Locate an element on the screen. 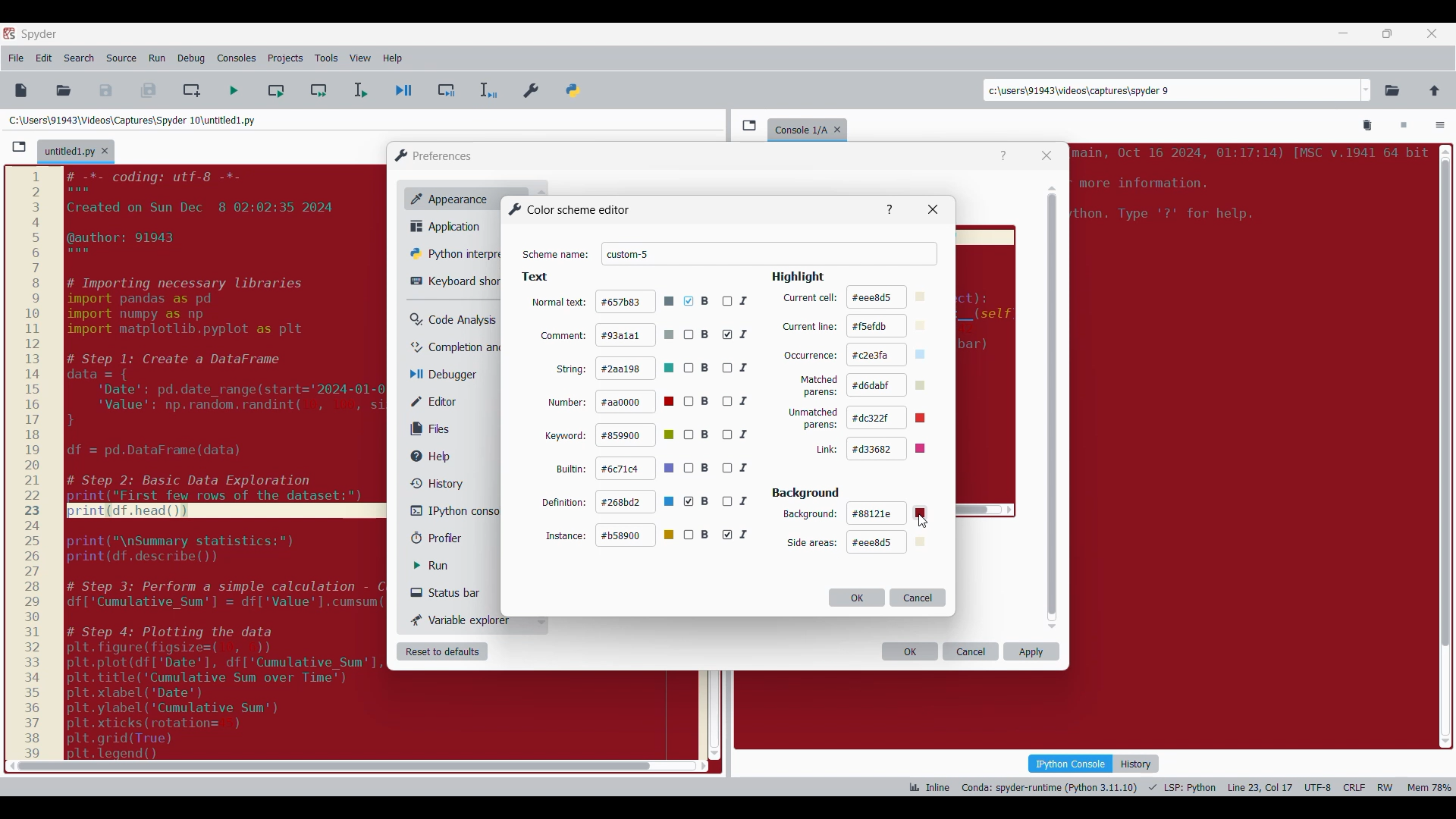 This screenshot has height=819, width=1456. Source menu is located at coordinates (121, 58).